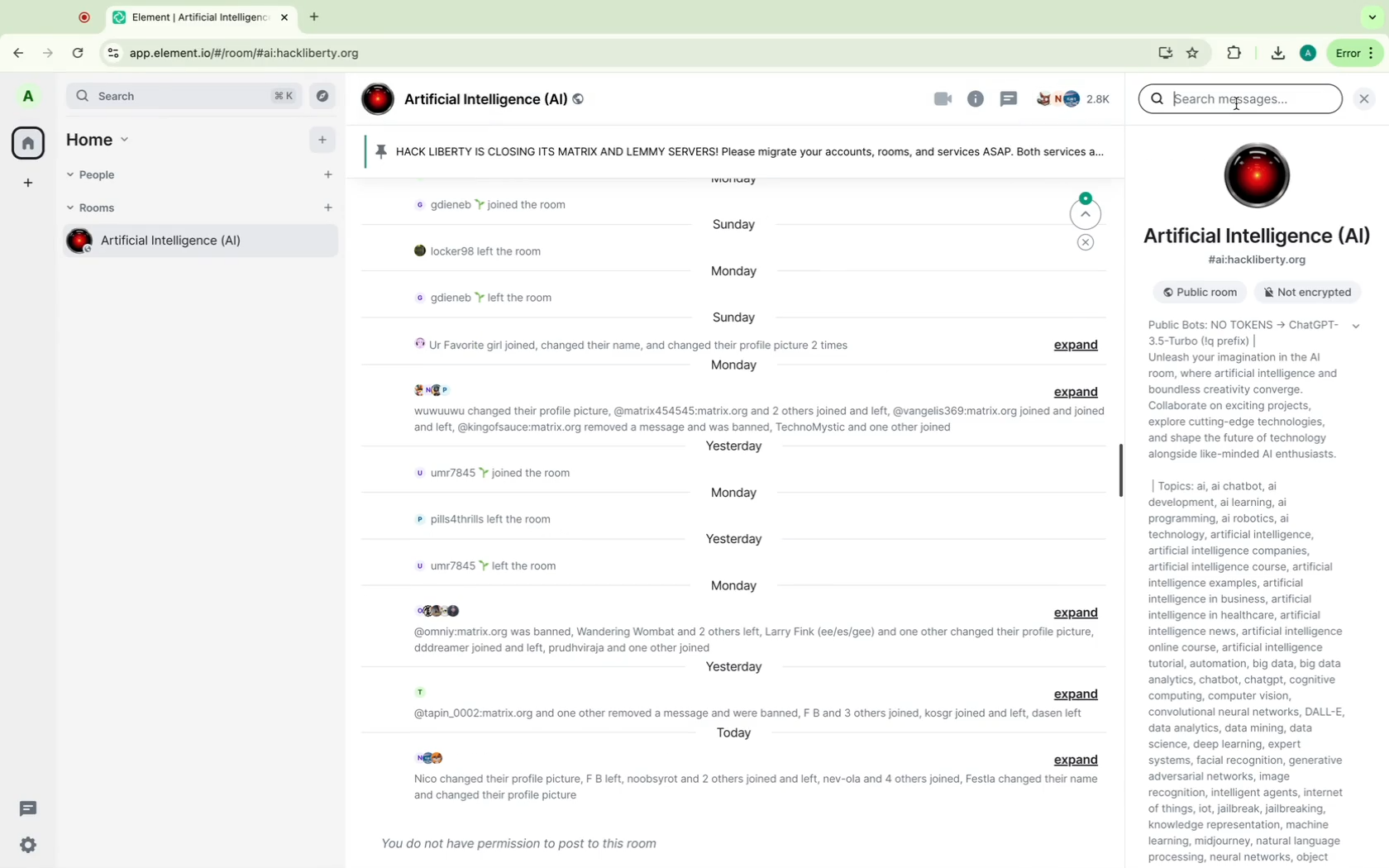 This screenshot has width=1389, height=868. I want to click on profile picture, so click(420, 693).